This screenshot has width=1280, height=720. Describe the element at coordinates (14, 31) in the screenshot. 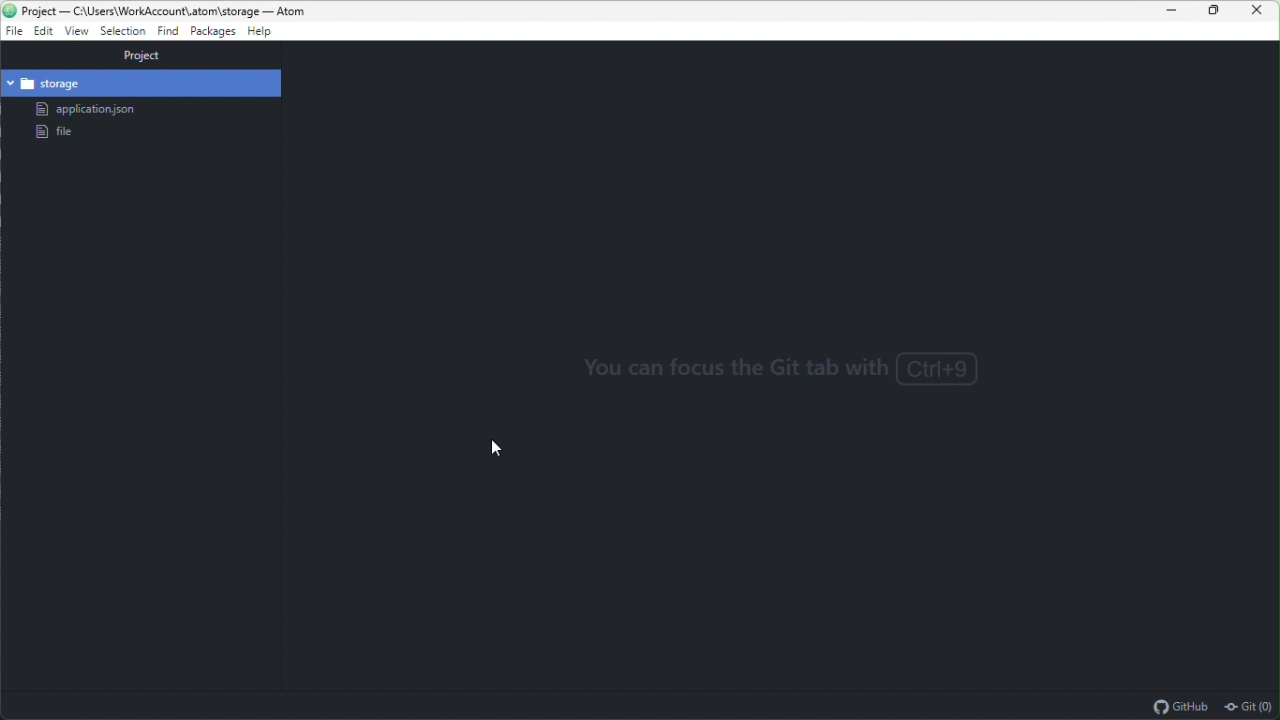

I see `file` at that location.